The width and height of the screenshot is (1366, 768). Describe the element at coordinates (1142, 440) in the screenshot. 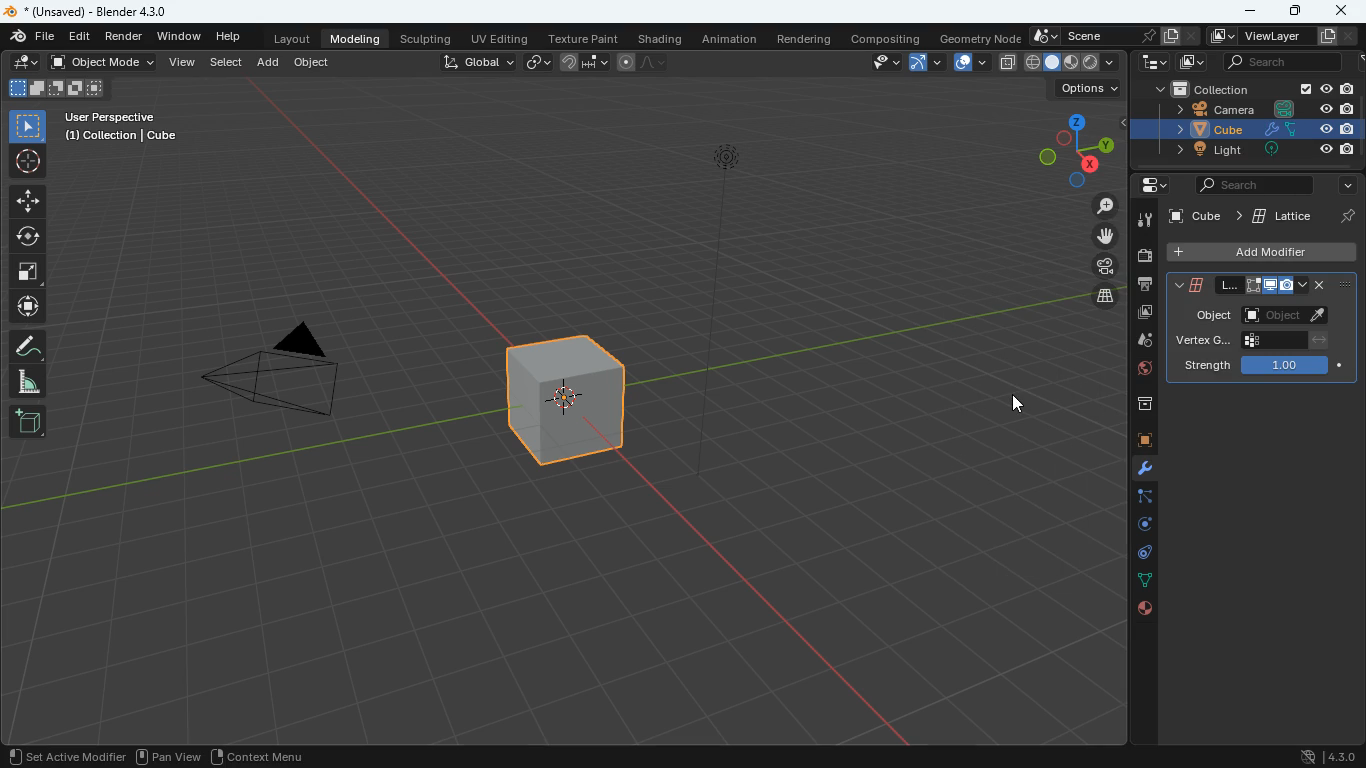

I see `cube` at that location.